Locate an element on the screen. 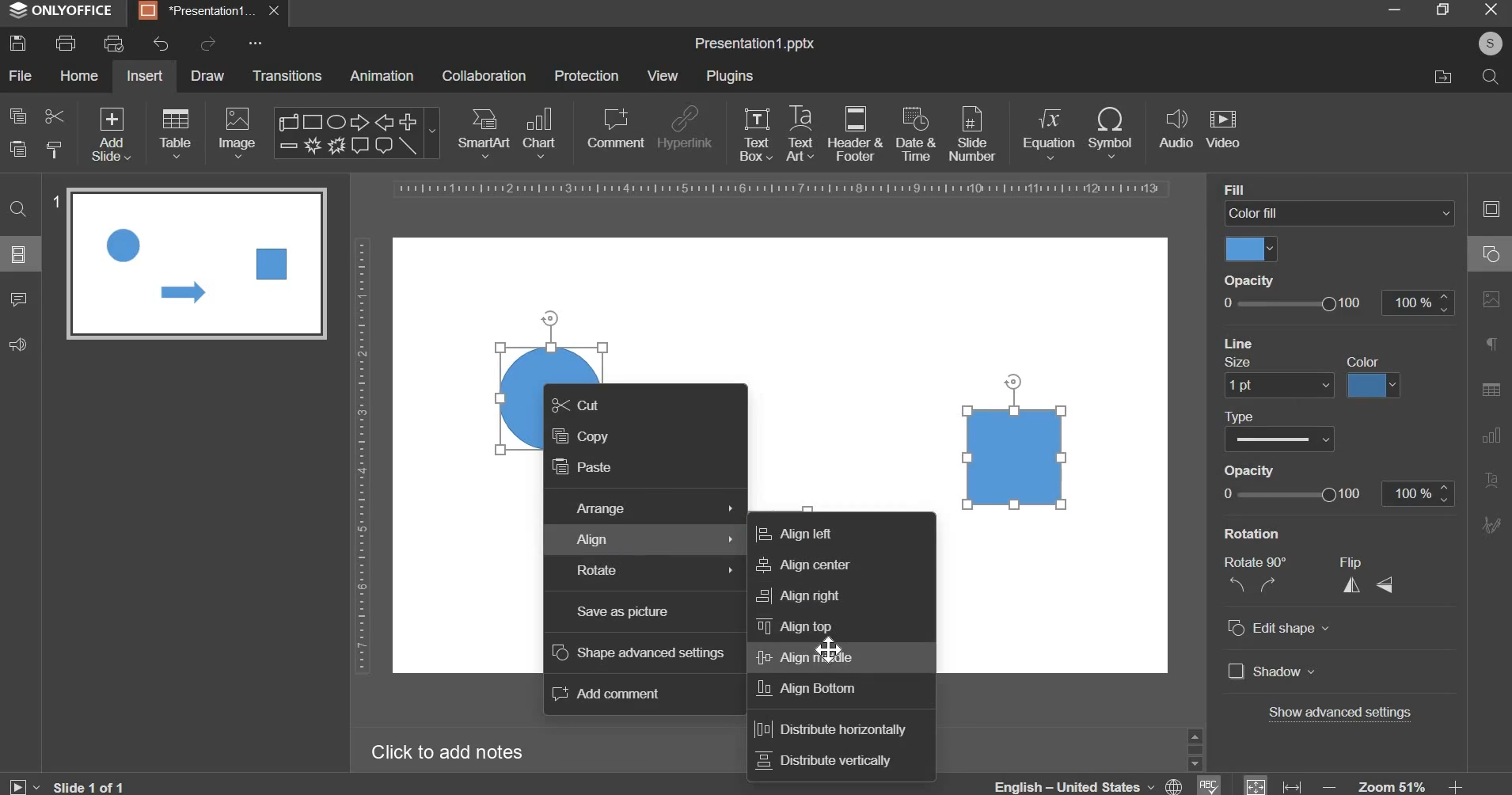 This screenshot has width=1512, height=795. vertical slider is located at coordinates (1195, 748).